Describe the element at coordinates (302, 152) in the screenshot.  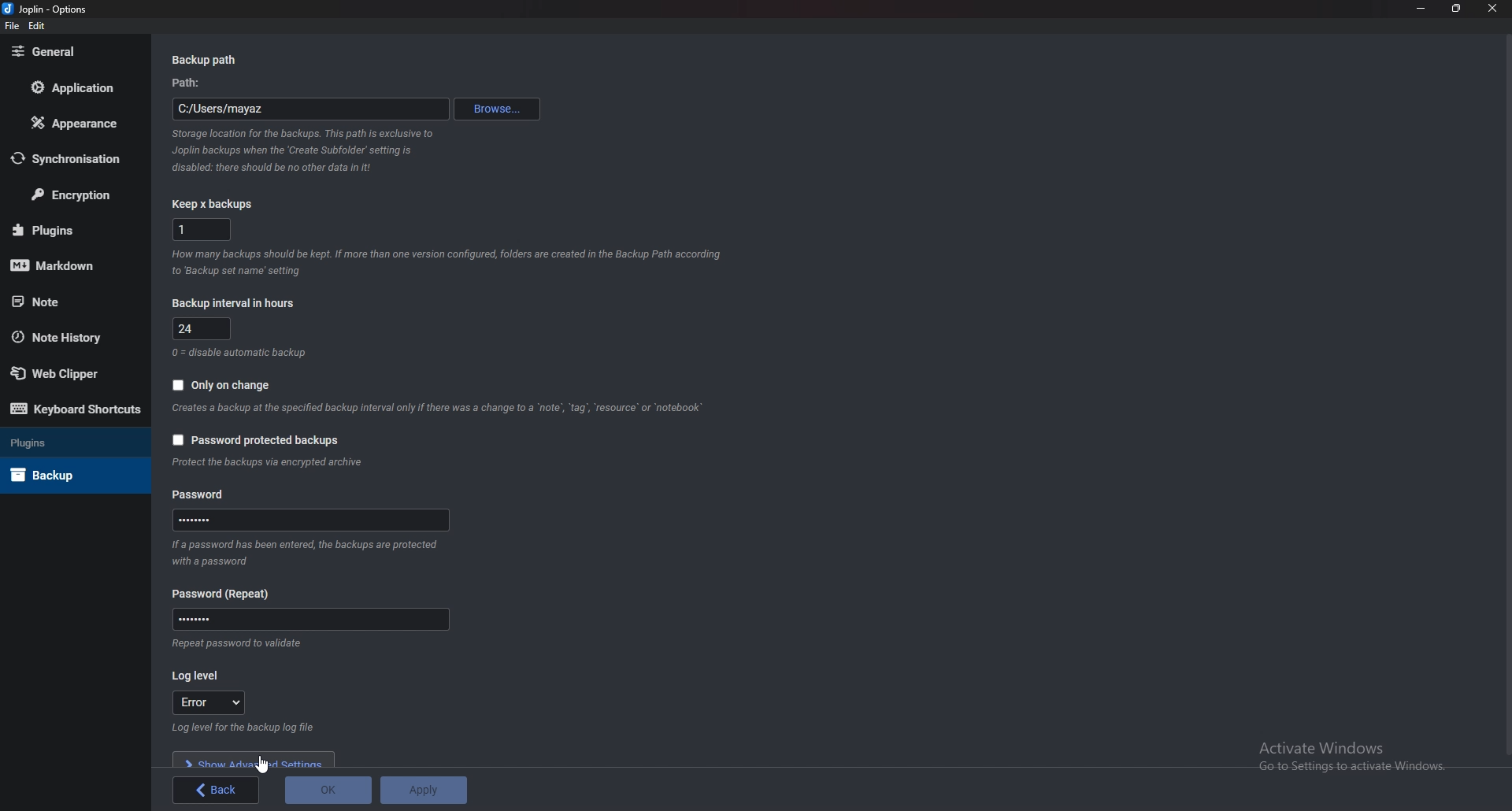
I see `Info on backup storage` at that location.